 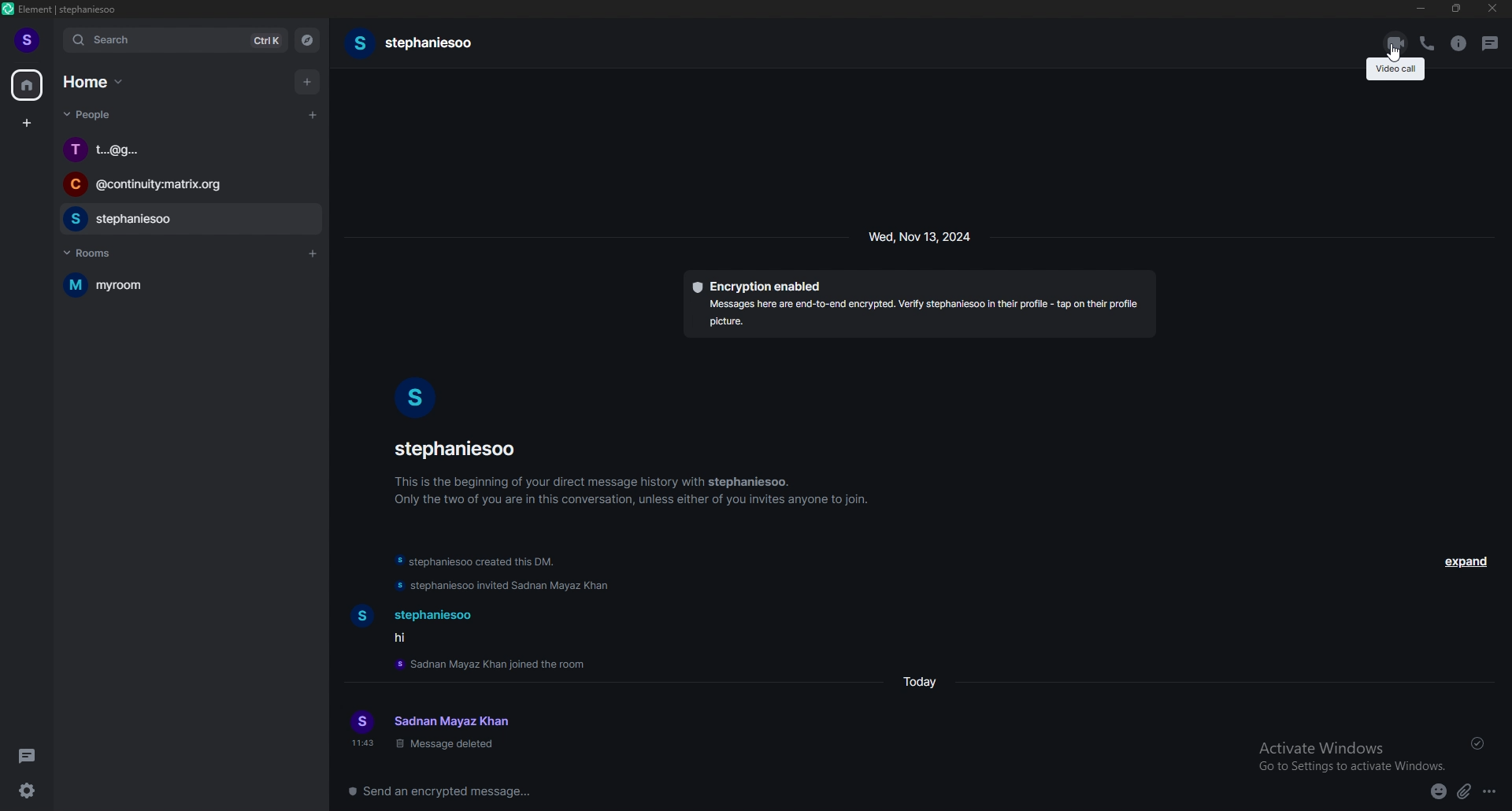 I want to click on time, so click(x=921, y=683).